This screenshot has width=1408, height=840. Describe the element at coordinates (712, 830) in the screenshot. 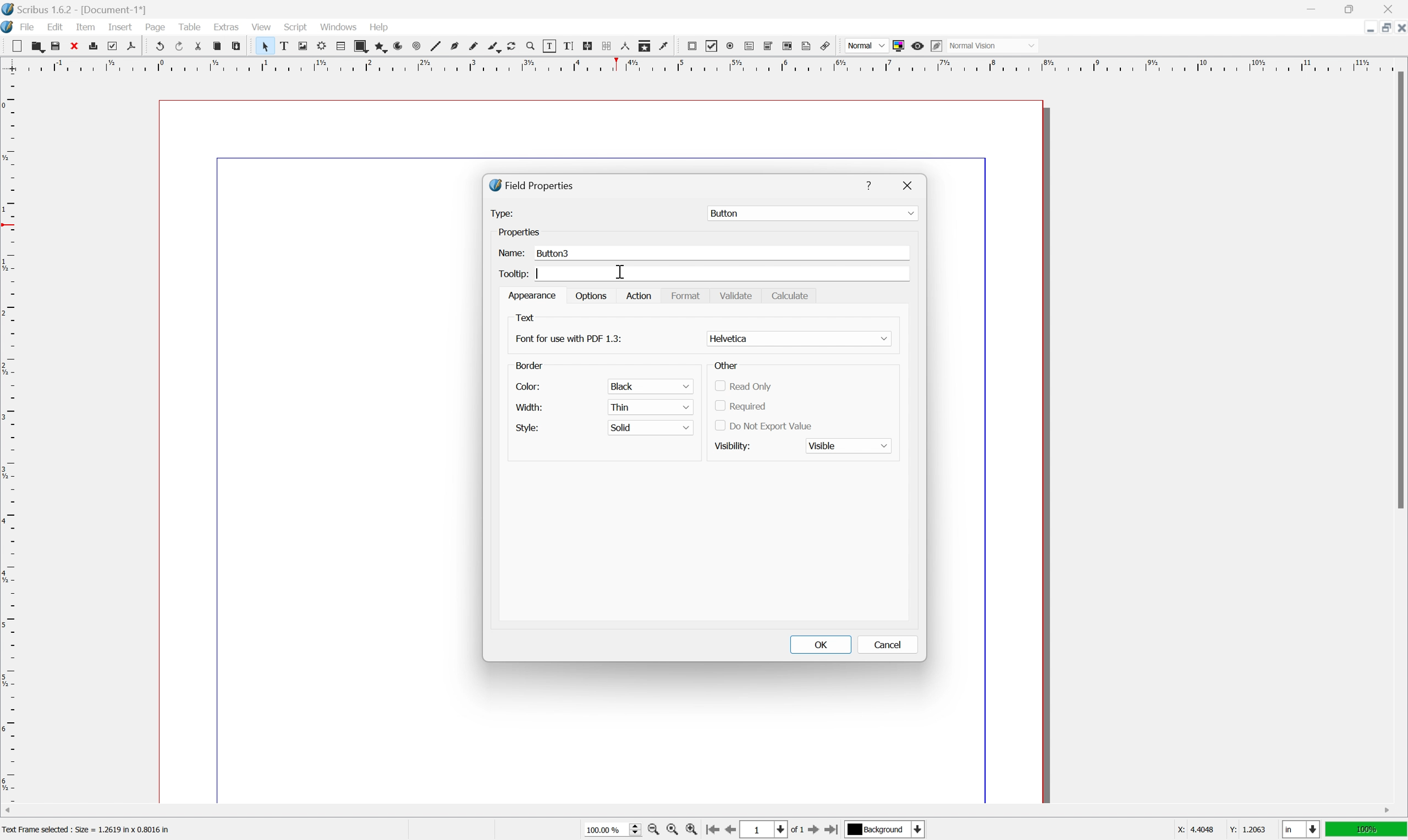

I see `go to first page` at that location.